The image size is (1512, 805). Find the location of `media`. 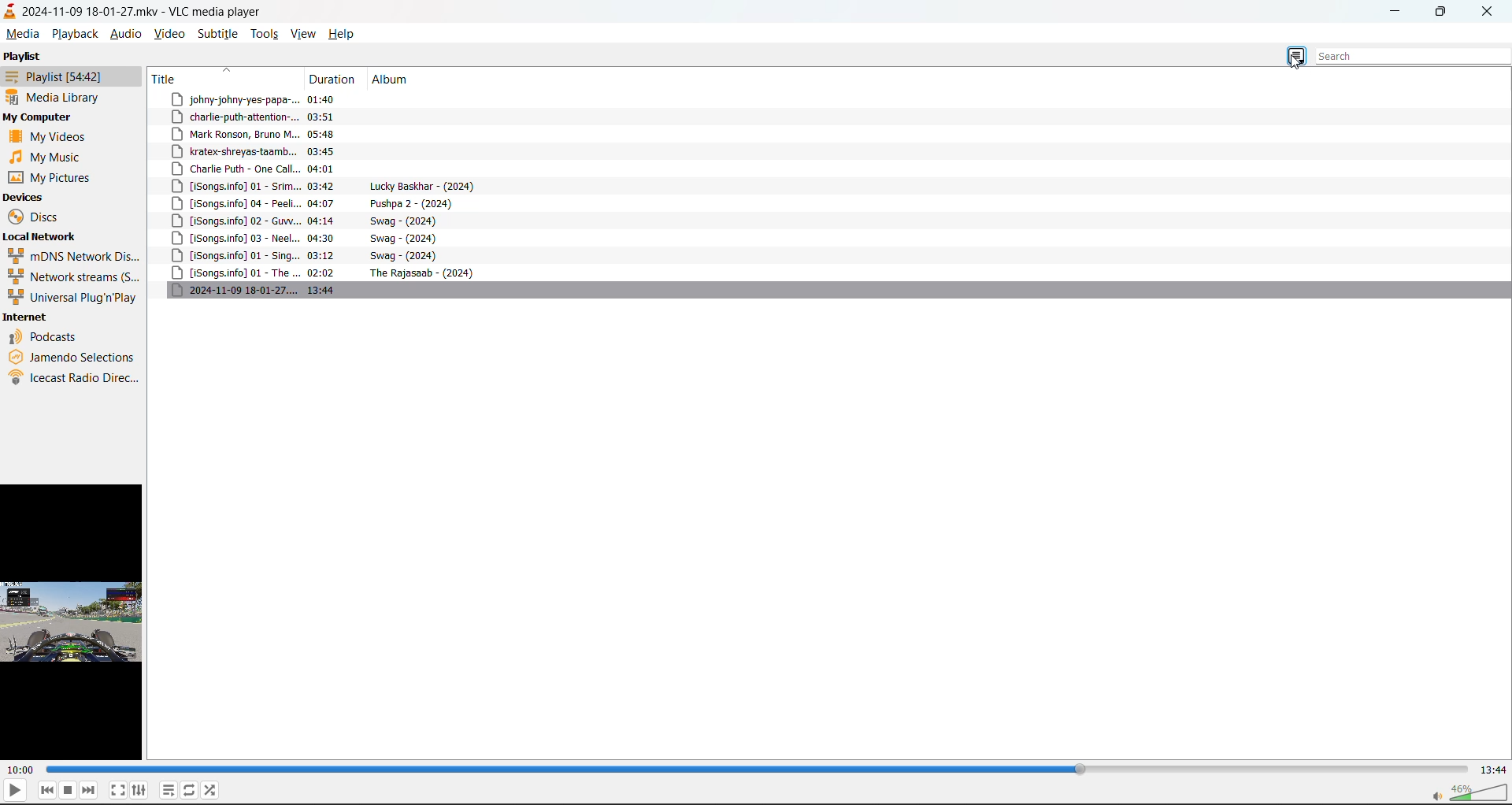

media is located at coordinates (20, 34).